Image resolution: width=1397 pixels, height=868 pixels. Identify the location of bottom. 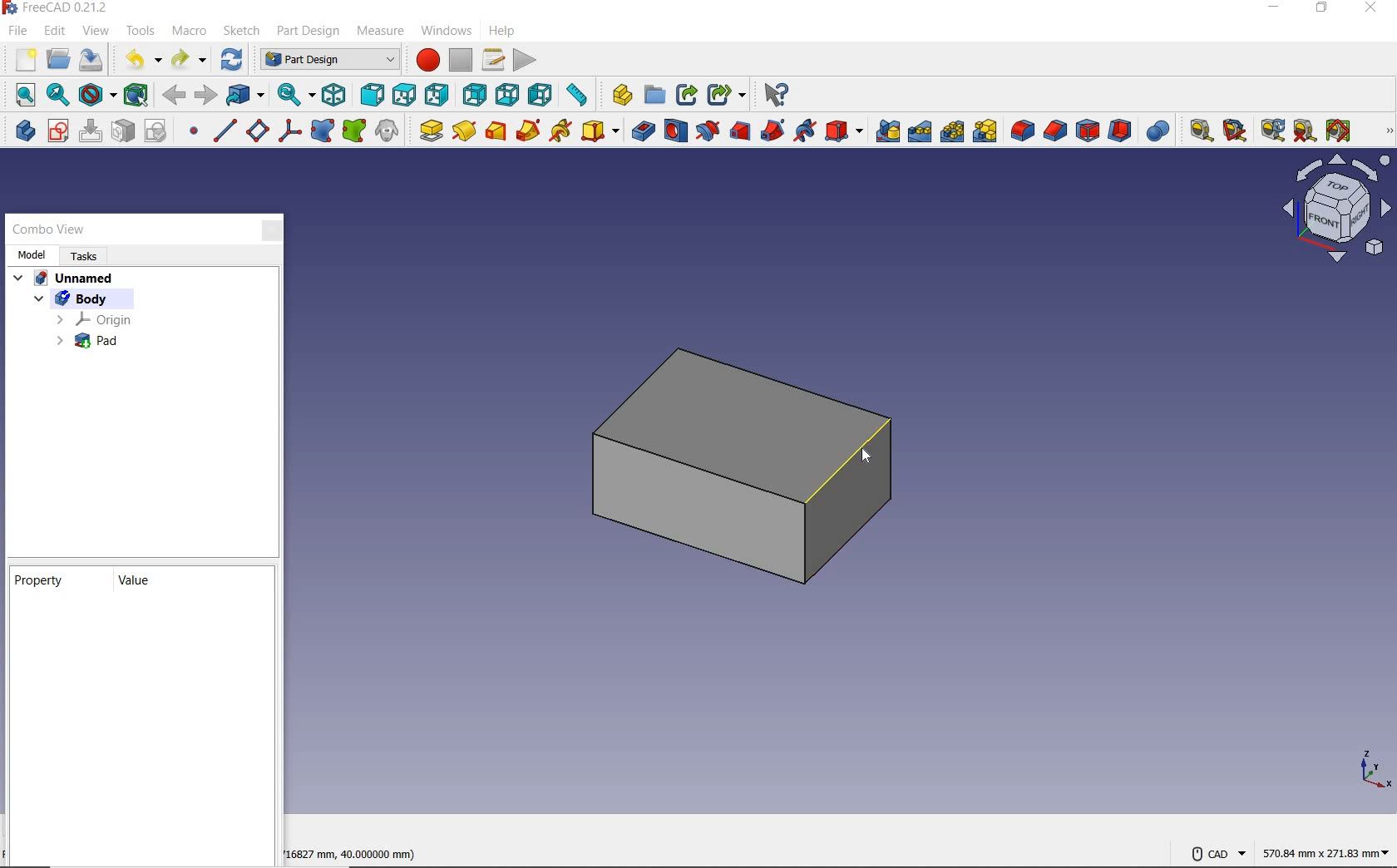
(508, 94).